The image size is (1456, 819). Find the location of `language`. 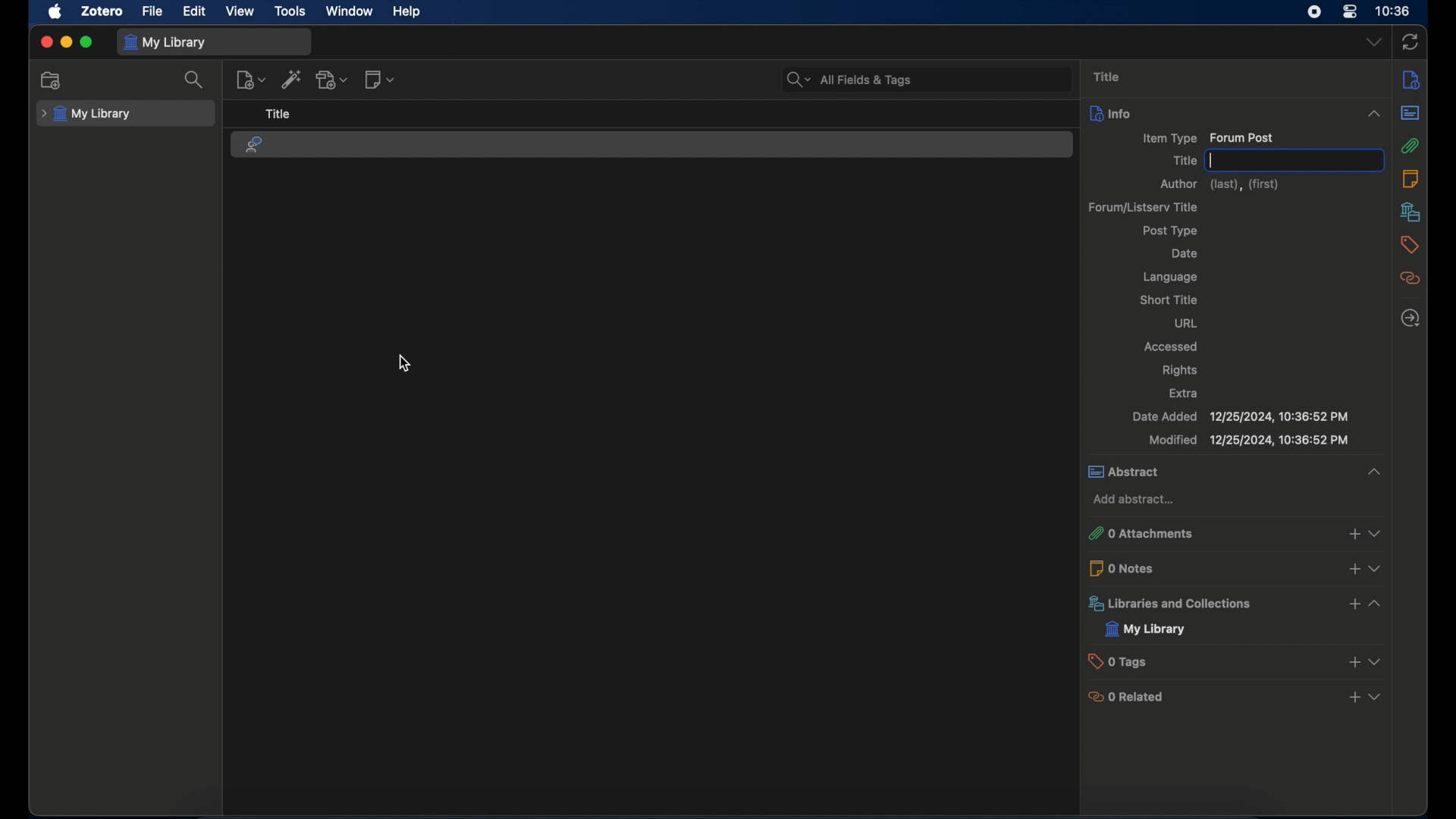

language is located at coordinates (1170, 278).